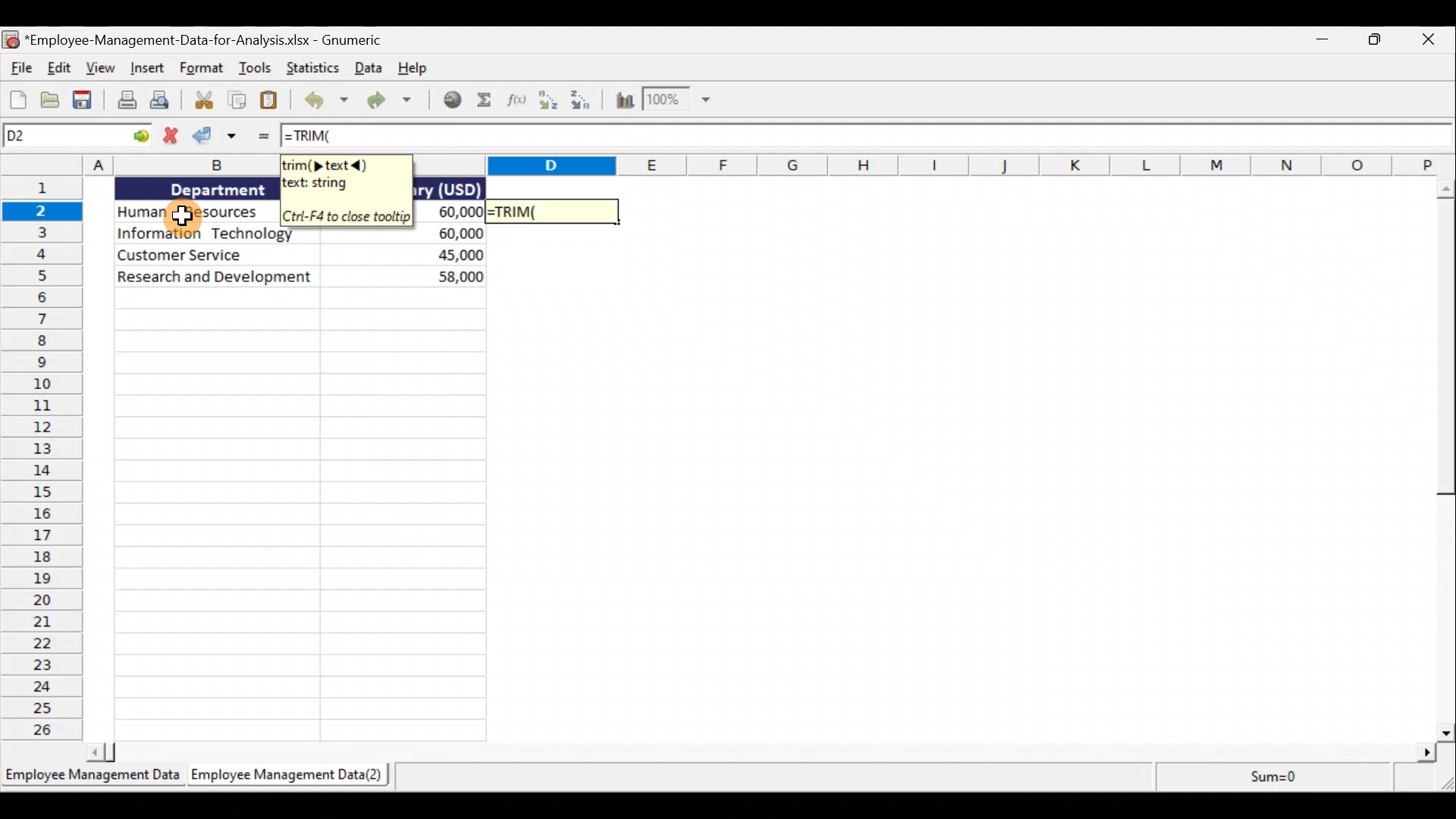  Describe the element at coordinates (344, 190) in the screenshot. I see `Tooltip` at that location.